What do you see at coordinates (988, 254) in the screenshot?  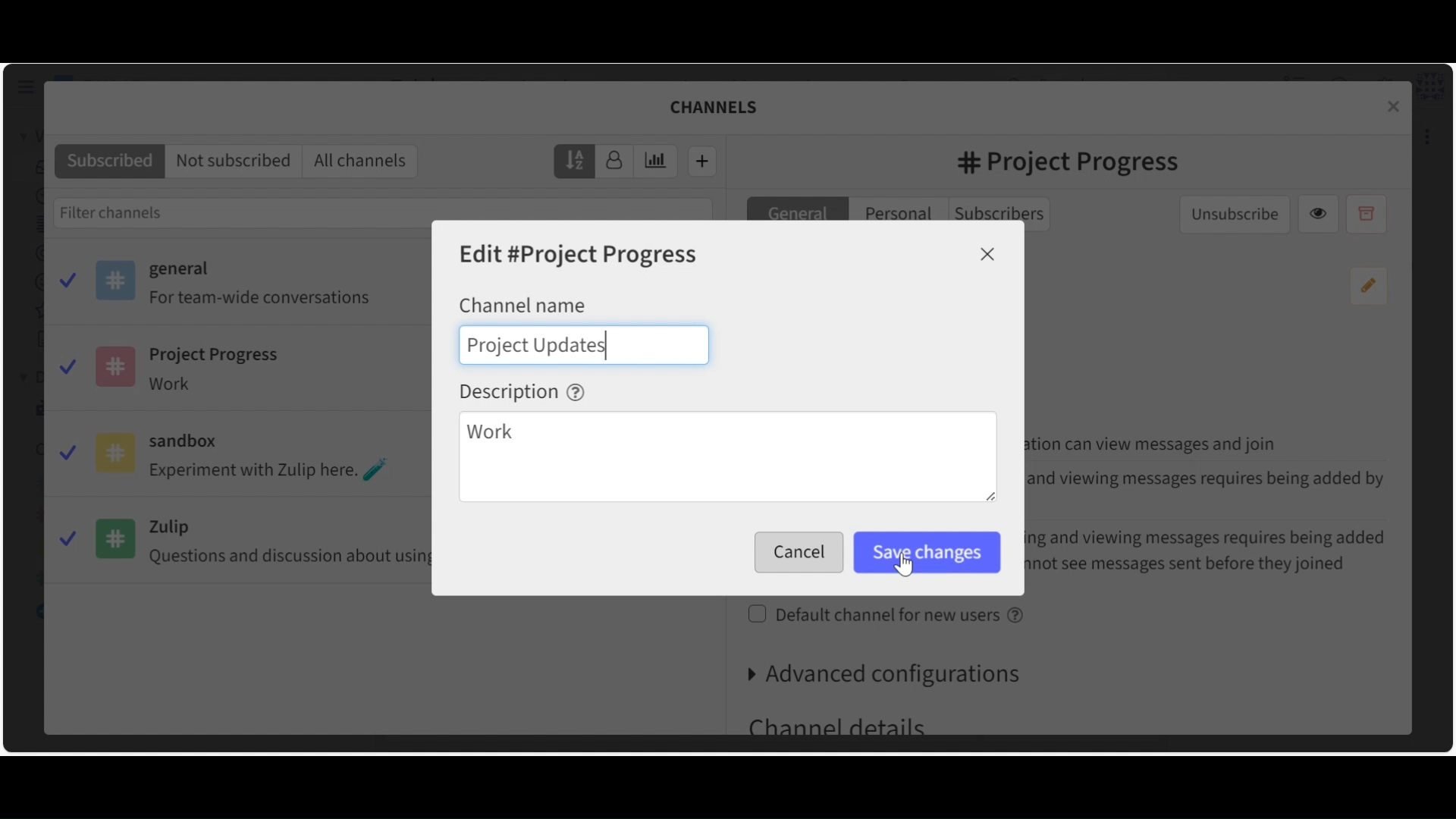 I see `Close` at bounding box center [988, 254].